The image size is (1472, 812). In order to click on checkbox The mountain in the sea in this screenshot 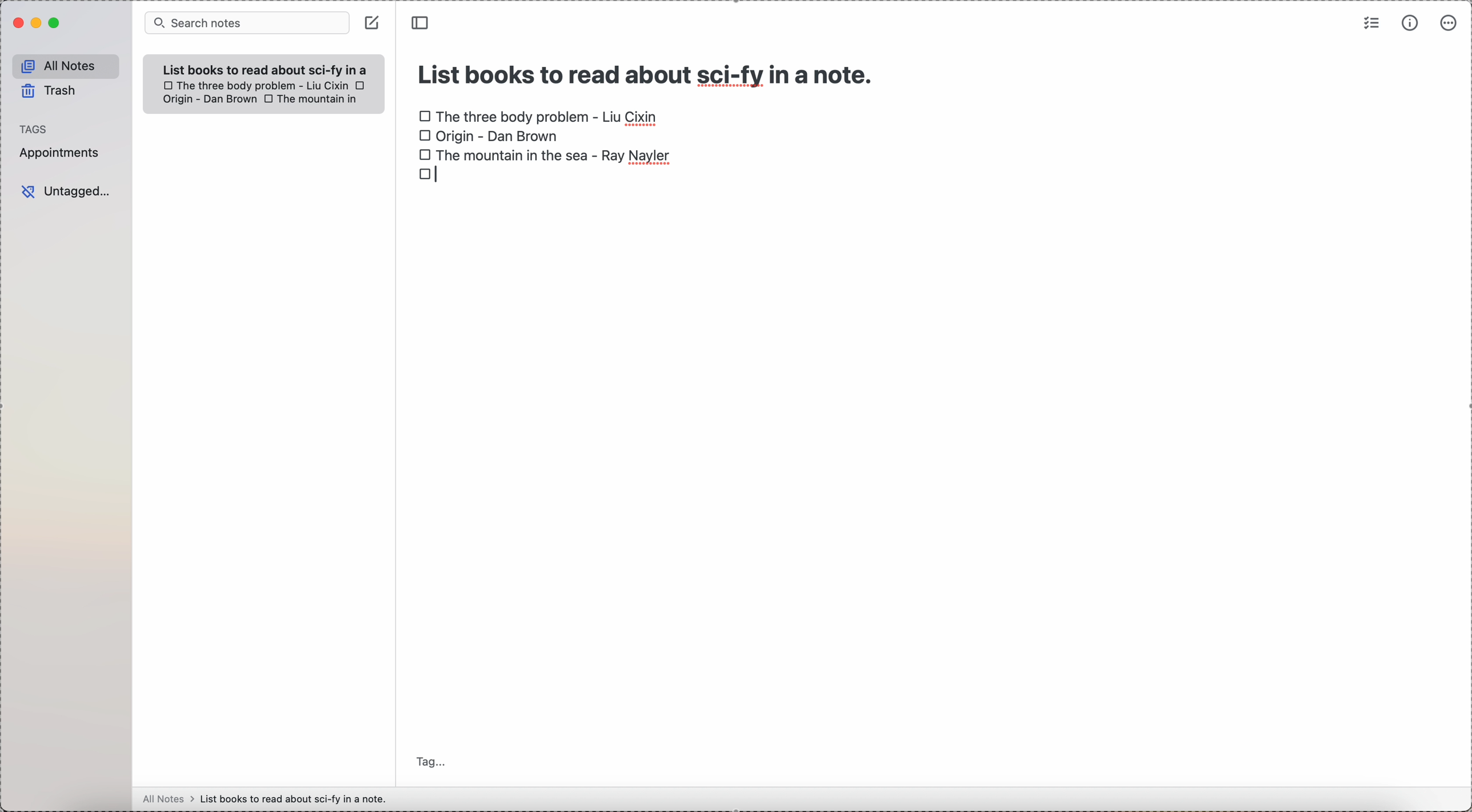, I will do `click(544, 154)`.